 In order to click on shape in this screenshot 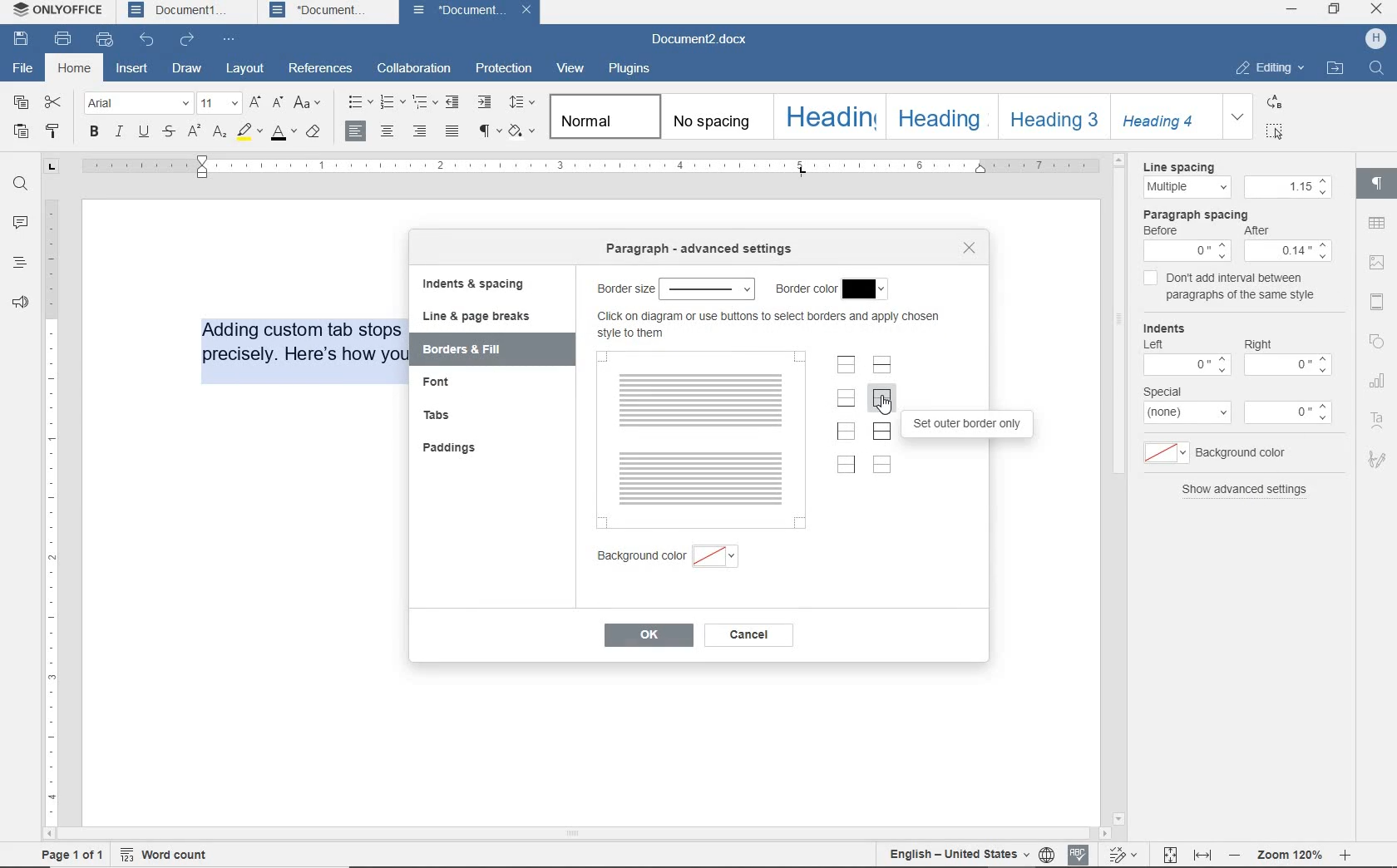, I will do `click(1380, 340)`.